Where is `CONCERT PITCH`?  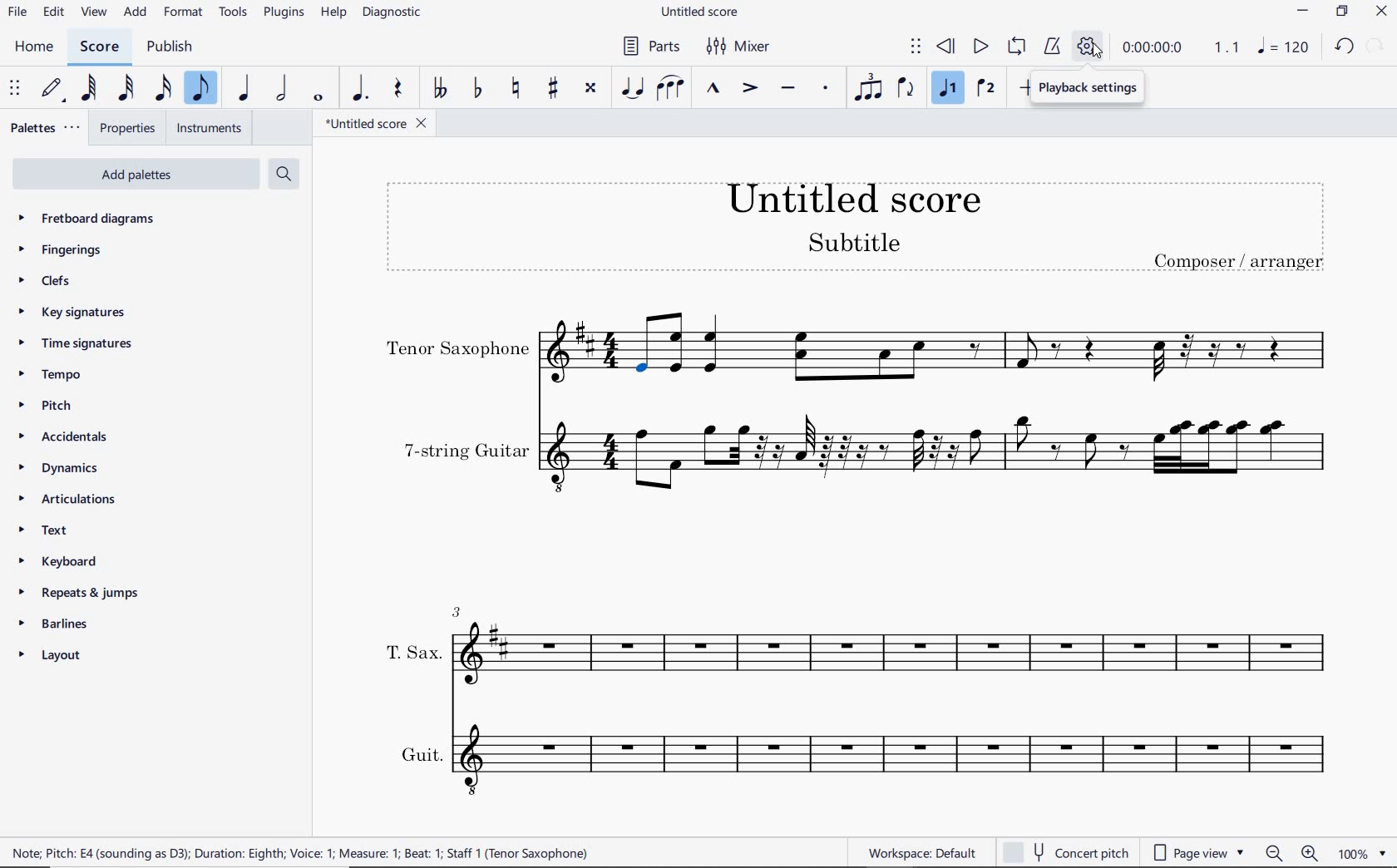 CONCERT PITCH is located at coordinates (1065, 851).